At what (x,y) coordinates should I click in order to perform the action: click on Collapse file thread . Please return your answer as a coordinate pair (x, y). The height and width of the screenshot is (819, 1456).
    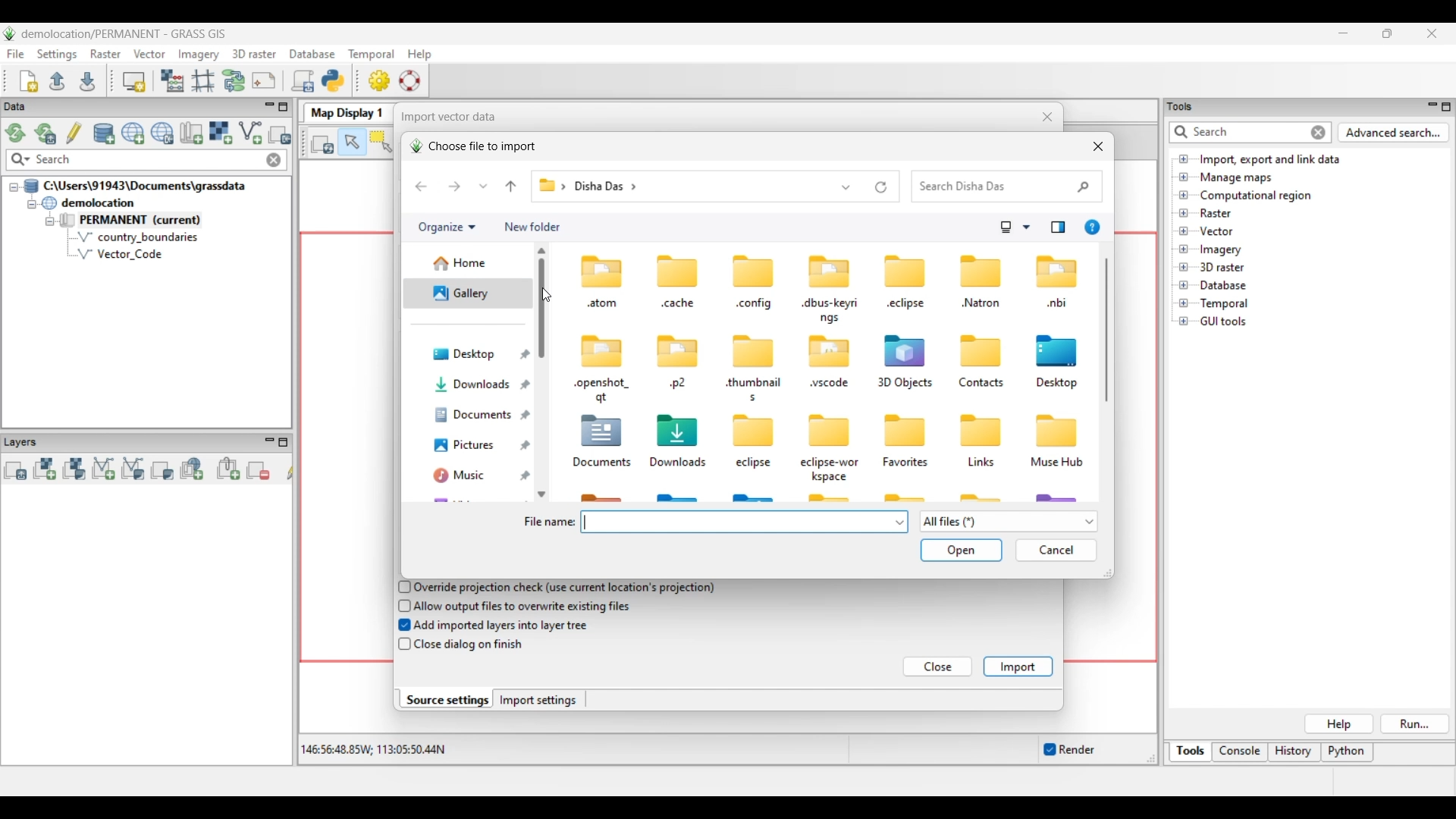
    Looking at the image, I should click on (14, 187).